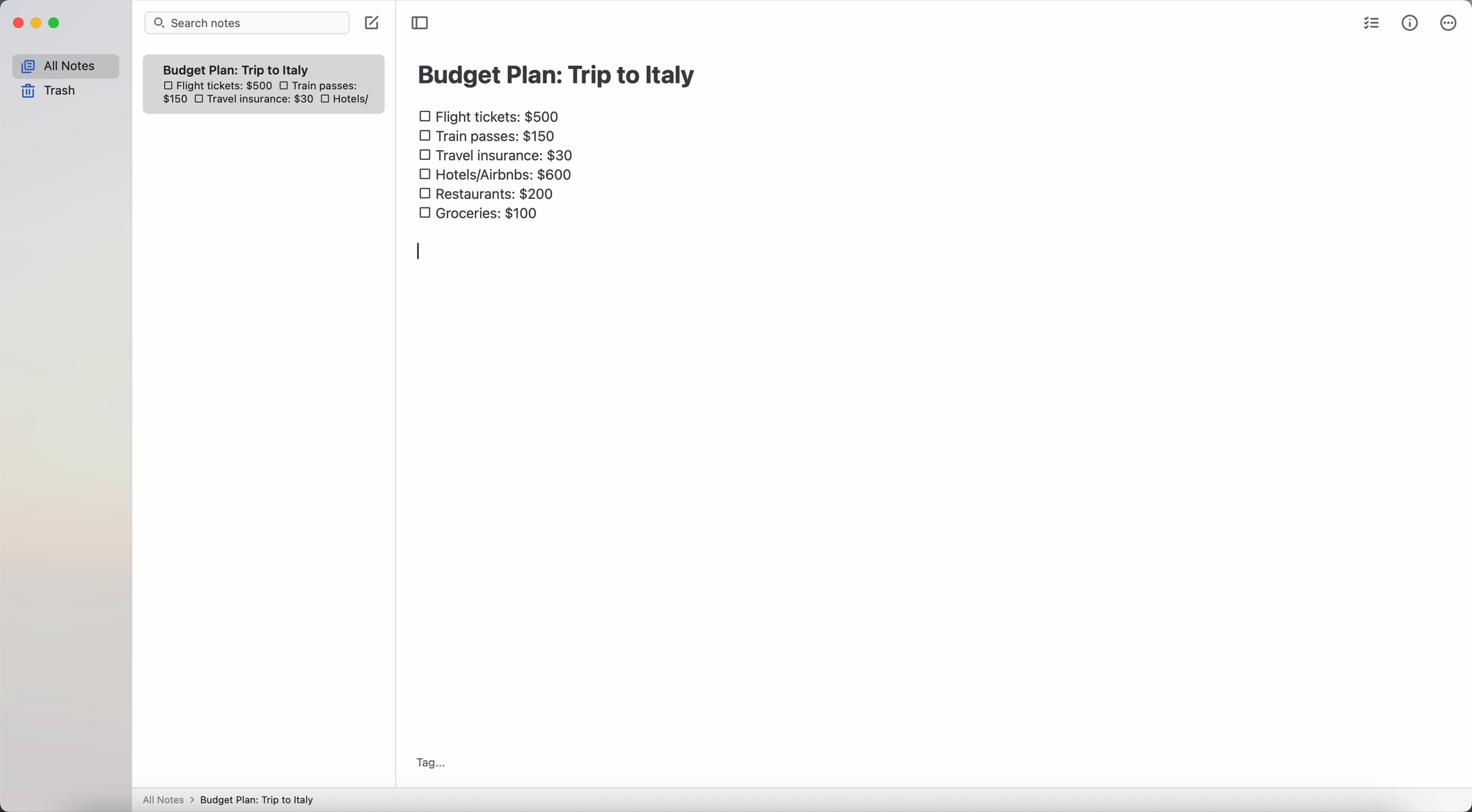  I want to click on groceries: $100 checkbox, so click(473, 214).